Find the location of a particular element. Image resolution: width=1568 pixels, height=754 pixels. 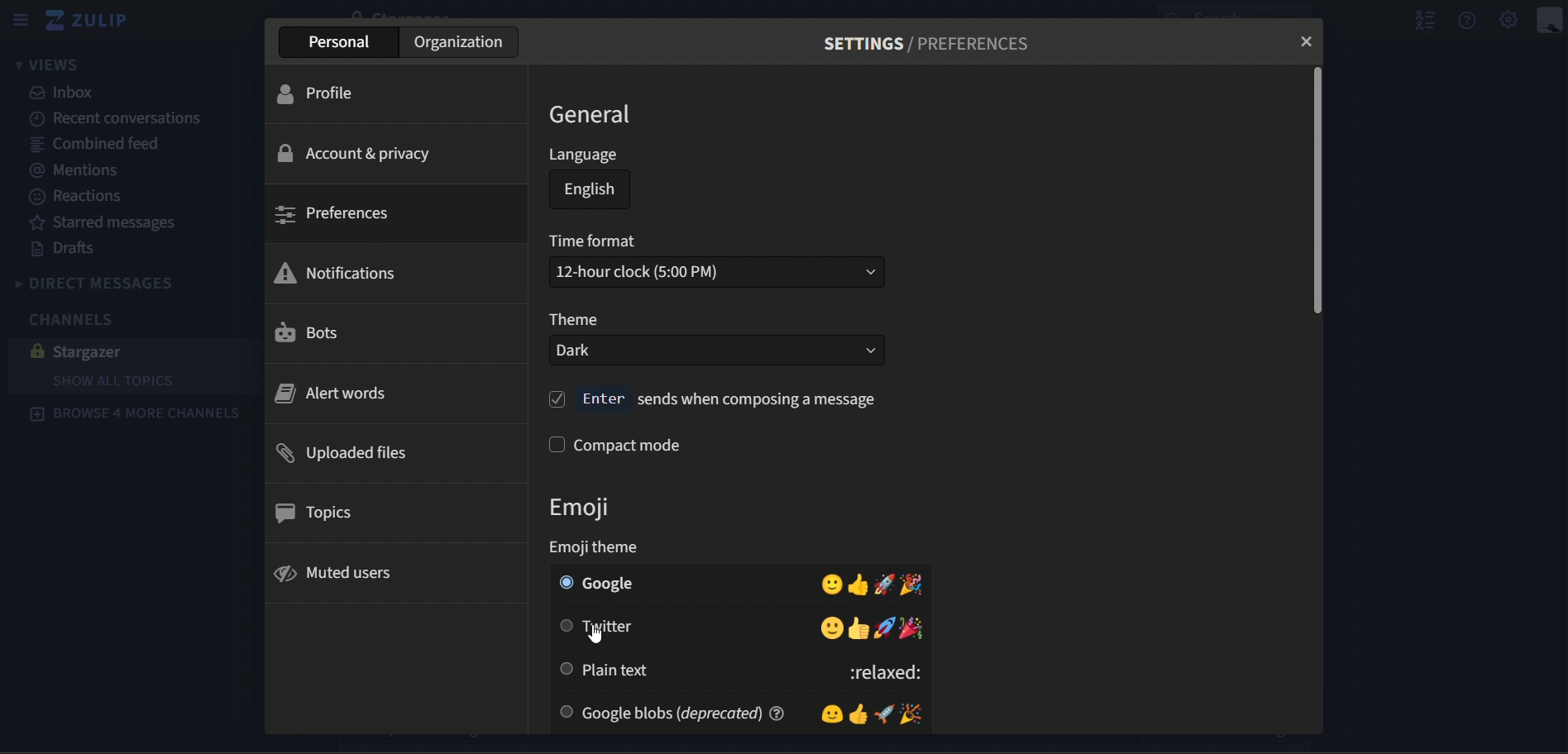

language is located at coordinates (585, 156).